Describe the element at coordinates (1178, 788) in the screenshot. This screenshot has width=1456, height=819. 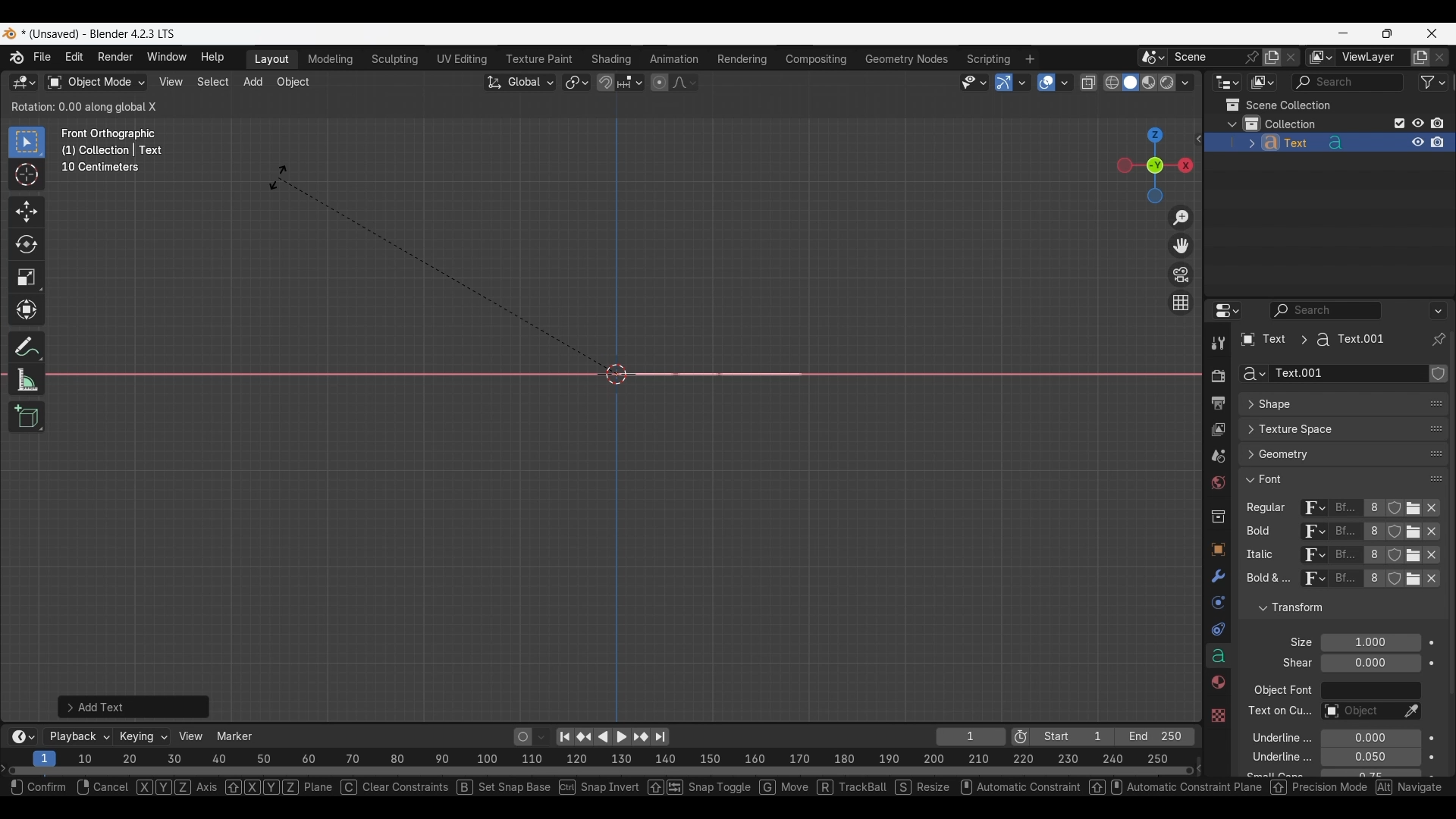
I see `automatic constraint panael` at that location.